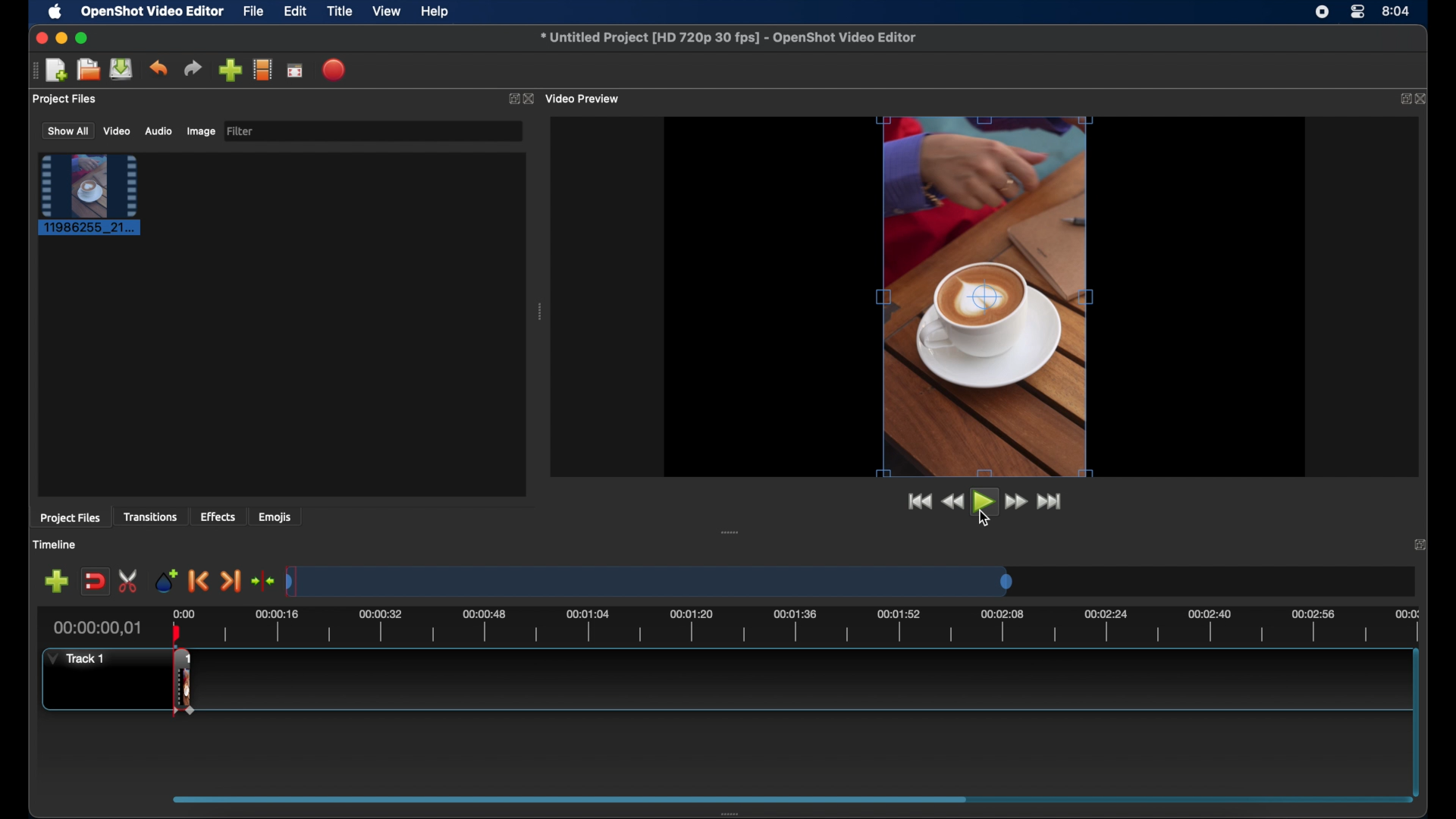  Describe the element at coordinates (193, 67) in the screenshot. I see `redo` at that location.